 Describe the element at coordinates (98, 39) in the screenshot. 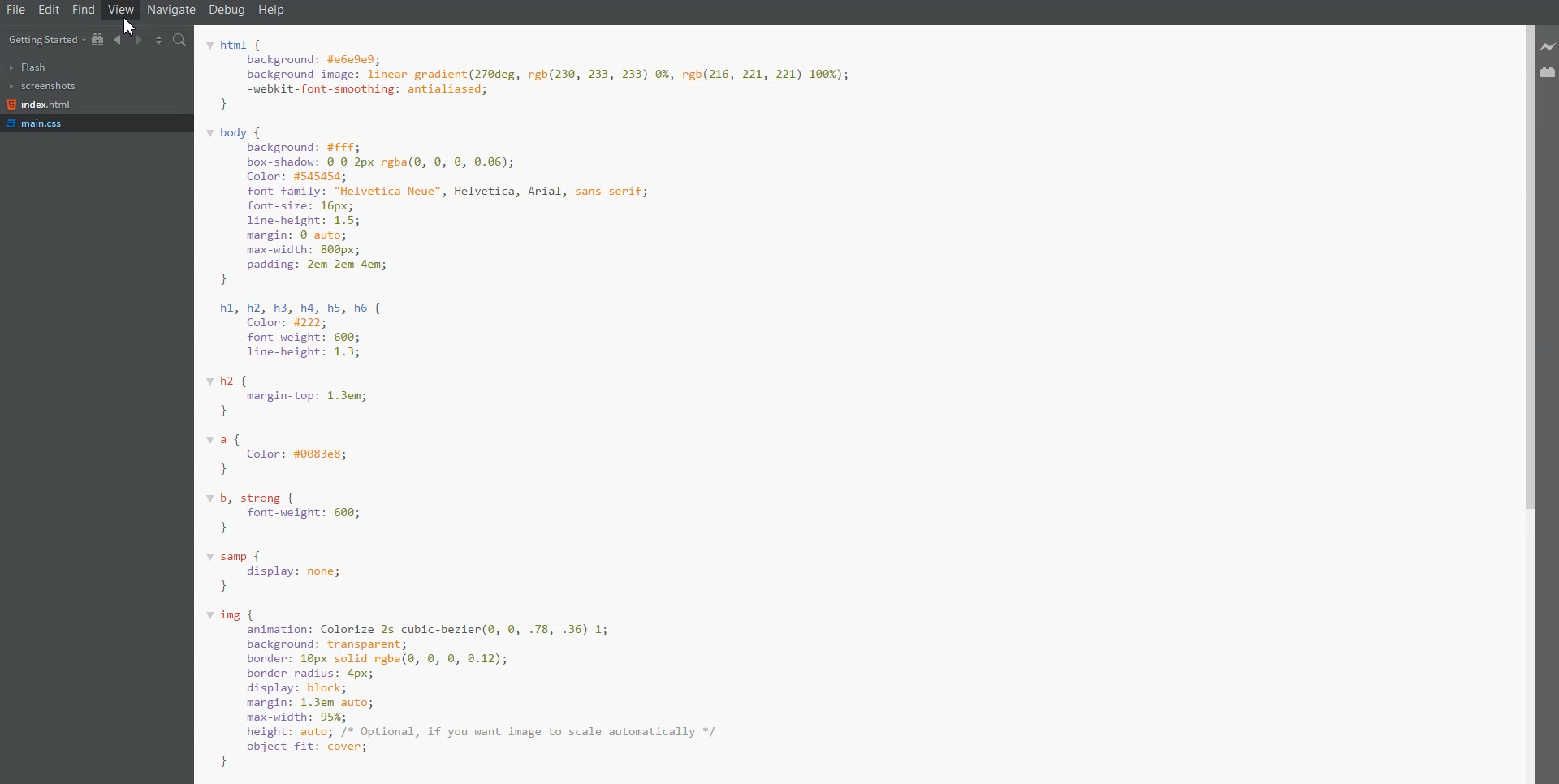

I see `Show in File Tree` at that location.